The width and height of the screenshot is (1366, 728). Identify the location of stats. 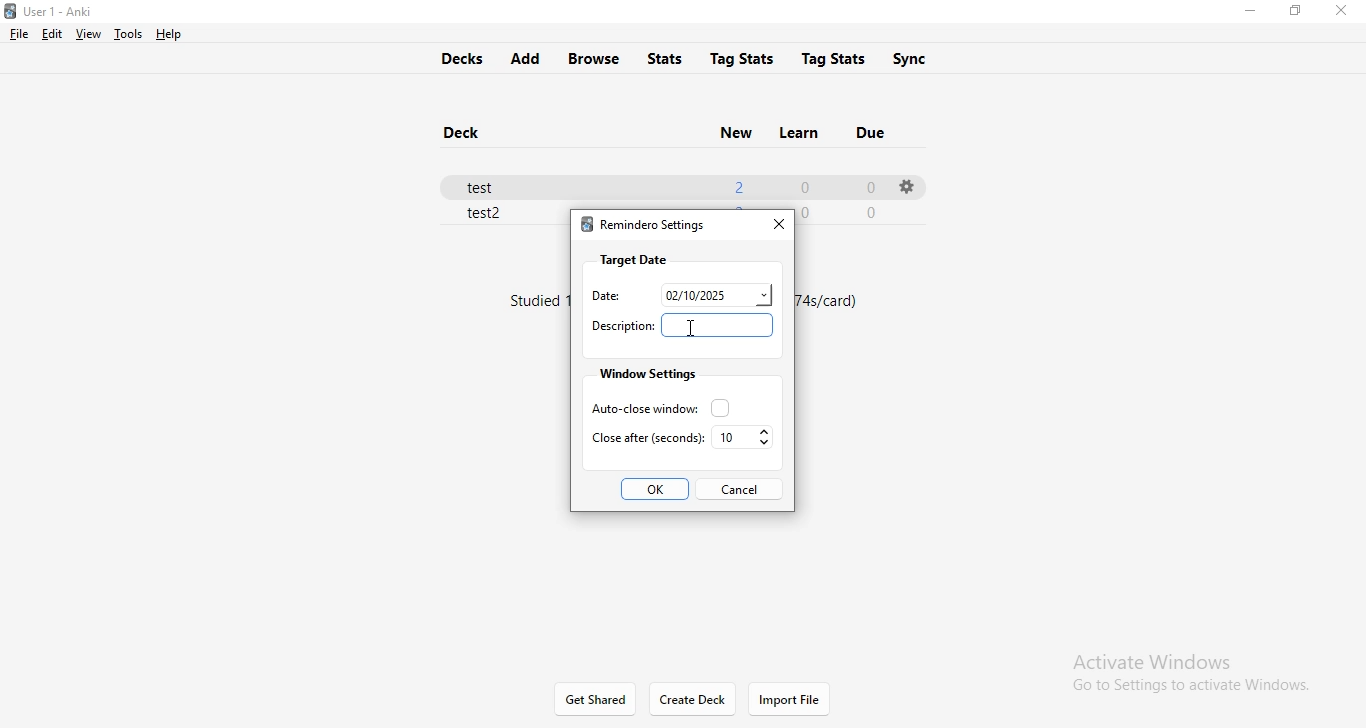
(669, 56).